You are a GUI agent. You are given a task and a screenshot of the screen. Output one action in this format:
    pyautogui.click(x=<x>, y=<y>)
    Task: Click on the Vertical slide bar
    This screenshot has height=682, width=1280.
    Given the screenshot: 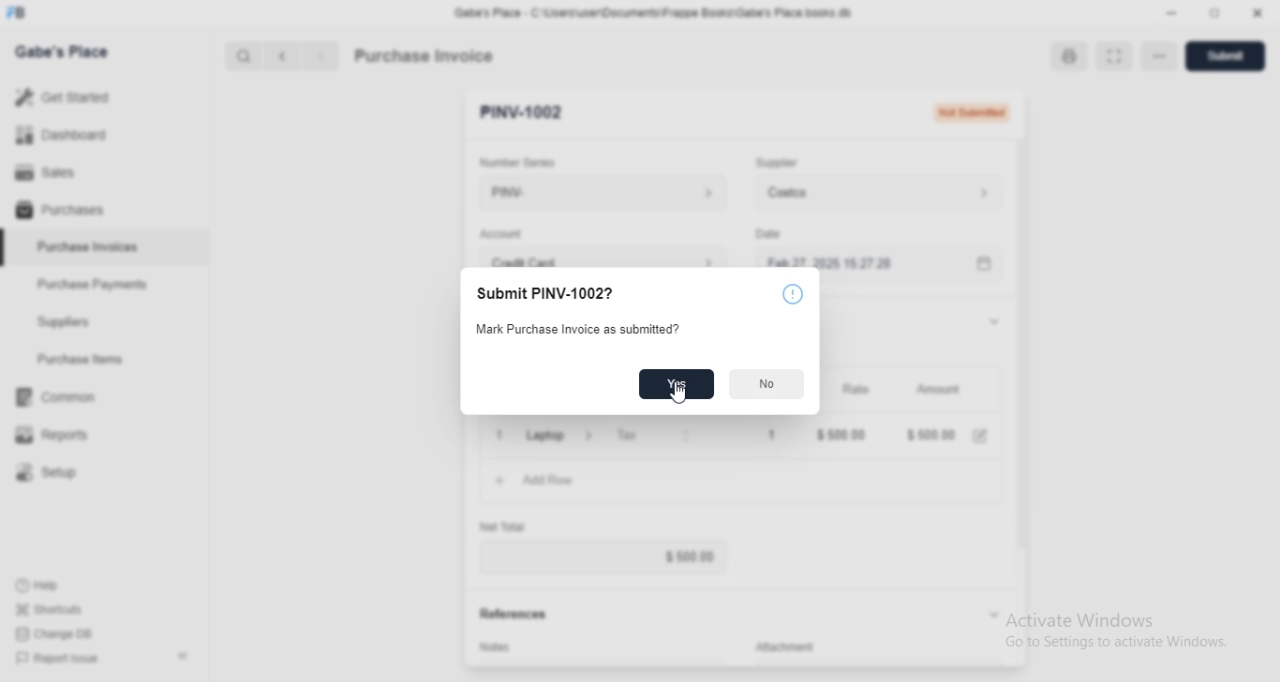 What is the action you would take?
    pyautogui.click(x=1022, y=365)
    